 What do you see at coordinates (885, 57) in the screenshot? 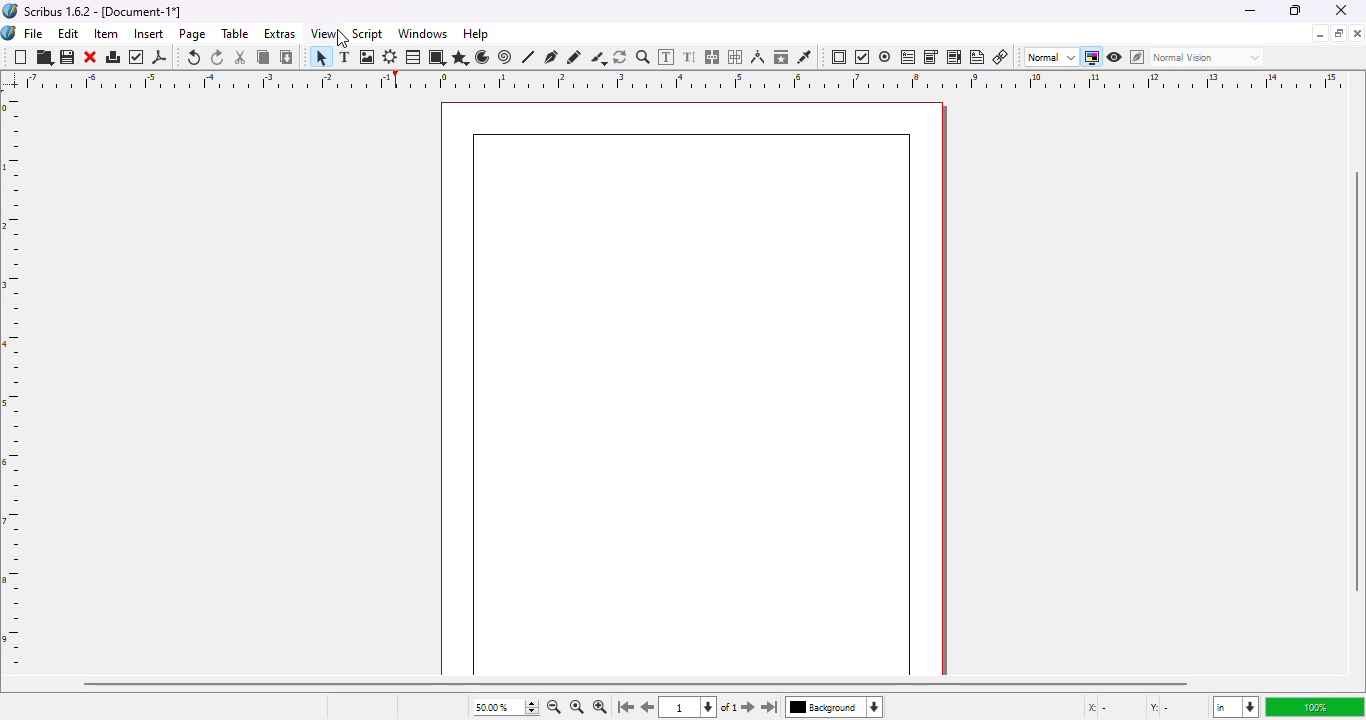
I see `PDF radio button` at bounding box center [885, 57].